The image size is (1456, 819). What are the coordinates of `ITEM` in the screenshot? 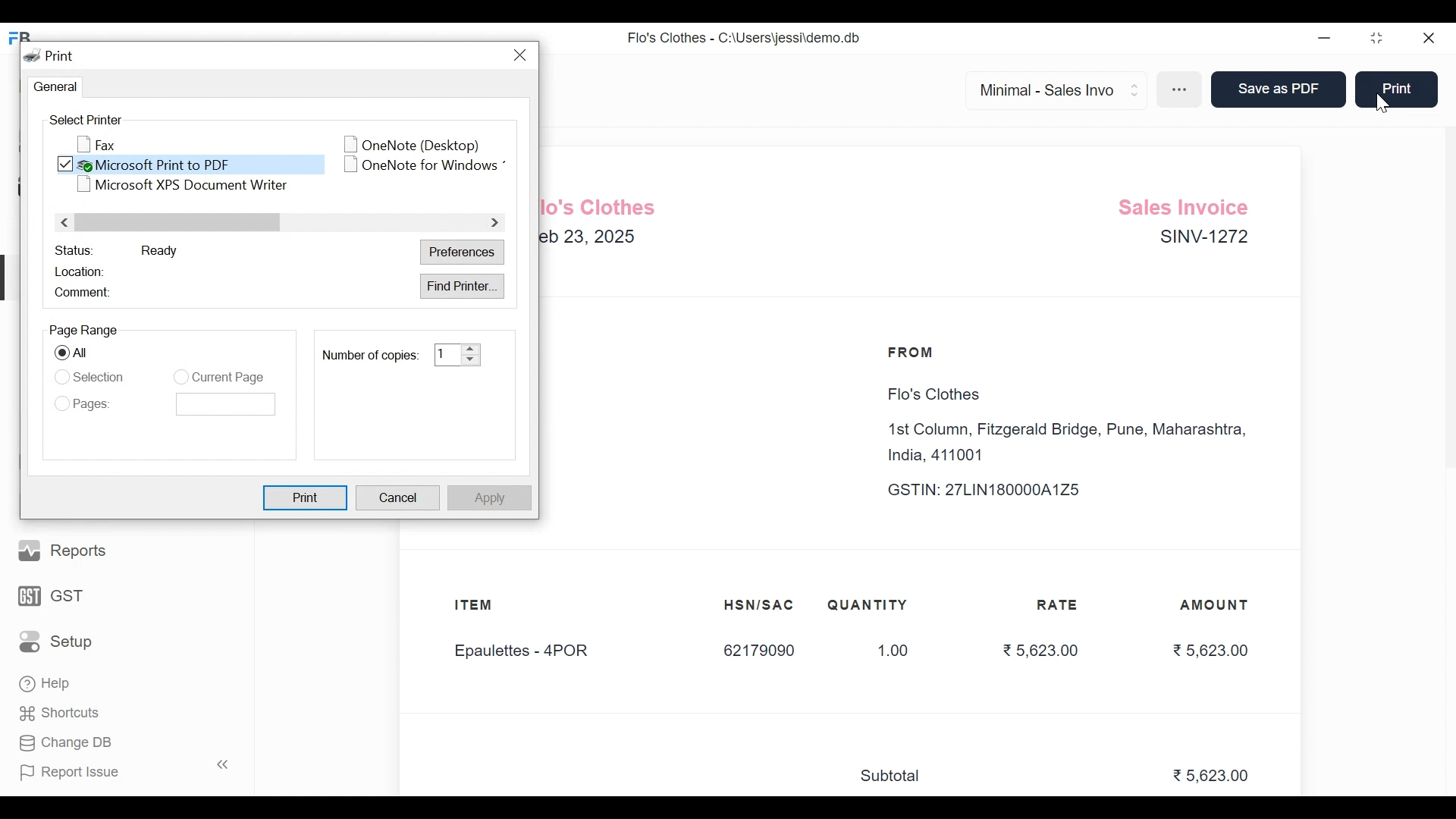 It's located at (488, 607).